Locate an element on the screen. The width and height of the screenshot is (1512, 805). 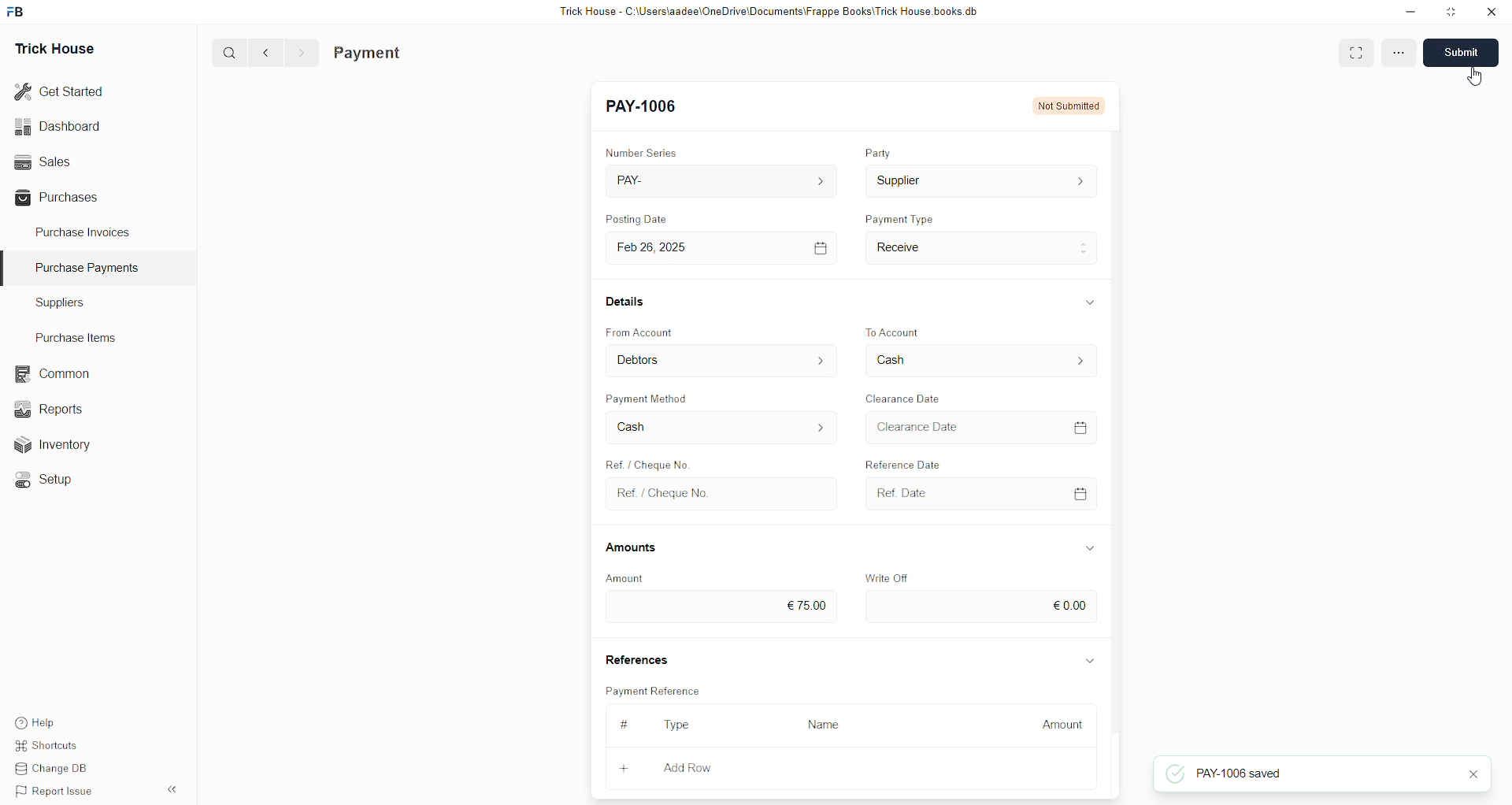
Posting Date is located at coordinates (648, 217).